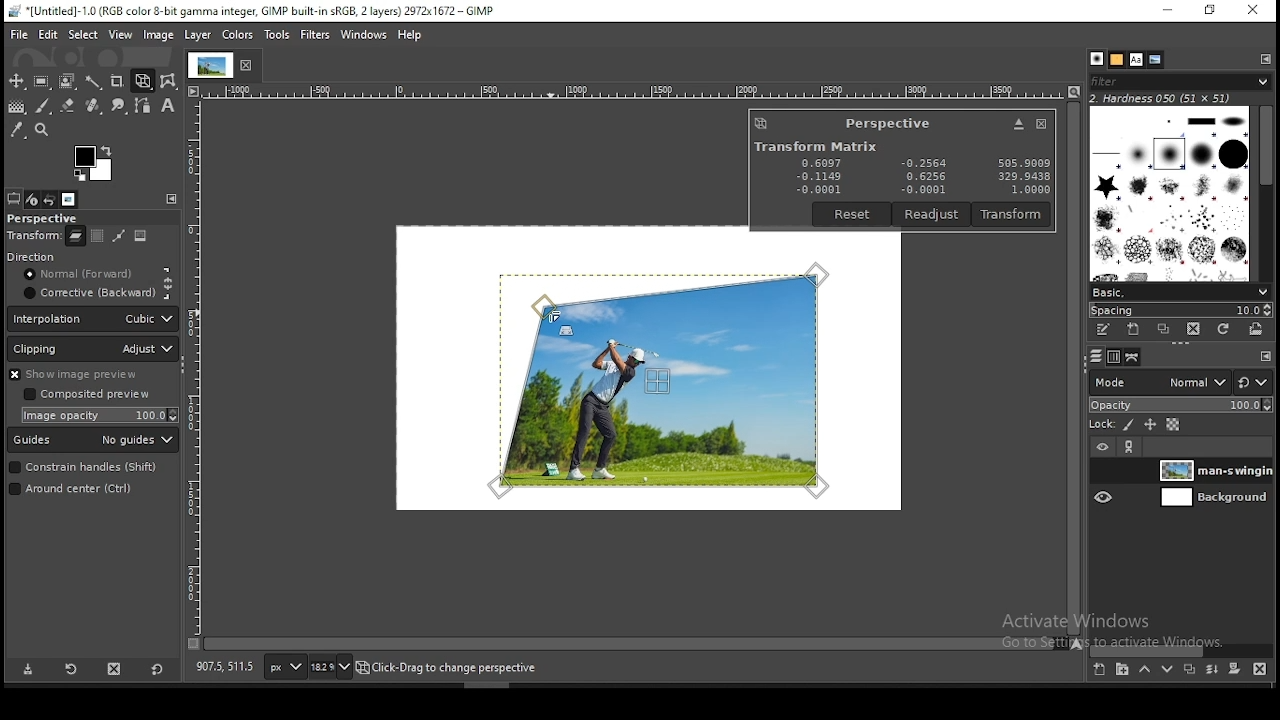  Describe the element at coordinates (1165, 670) in the screenshot. I see `move layer on step down` at that location.